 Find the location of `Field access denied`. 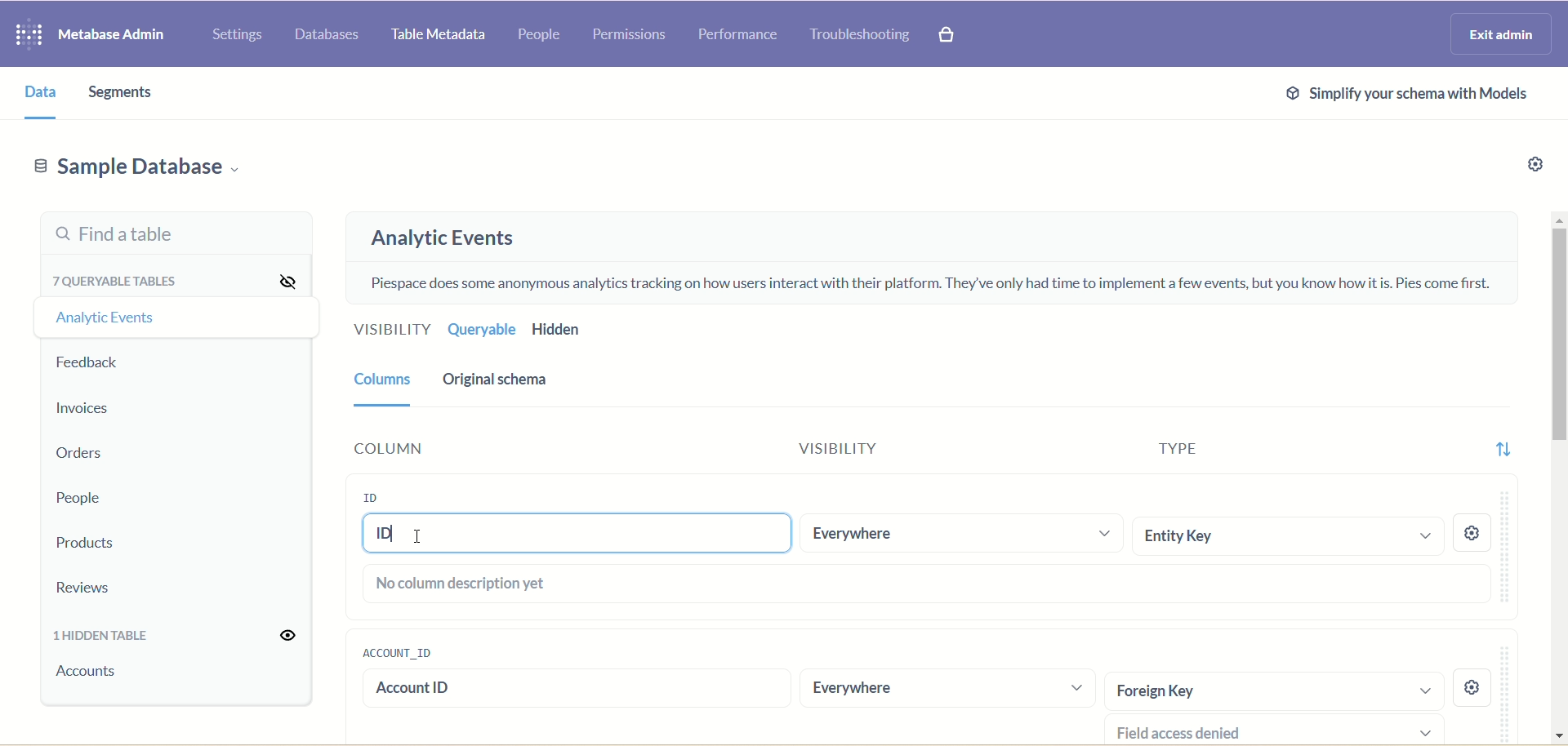

Field access denied is located at coordinates (1270, 732).